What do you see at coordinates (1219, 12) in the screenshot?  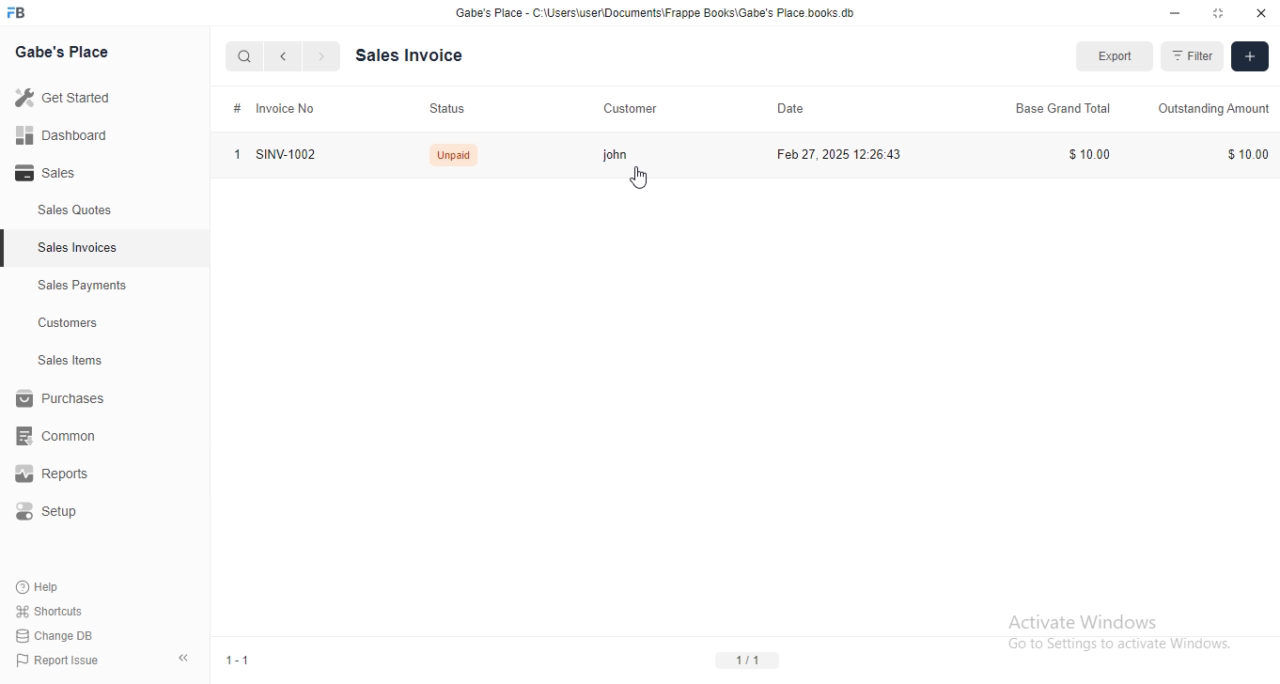 I see `toggle maximize` at bounding box center [1219, 12].